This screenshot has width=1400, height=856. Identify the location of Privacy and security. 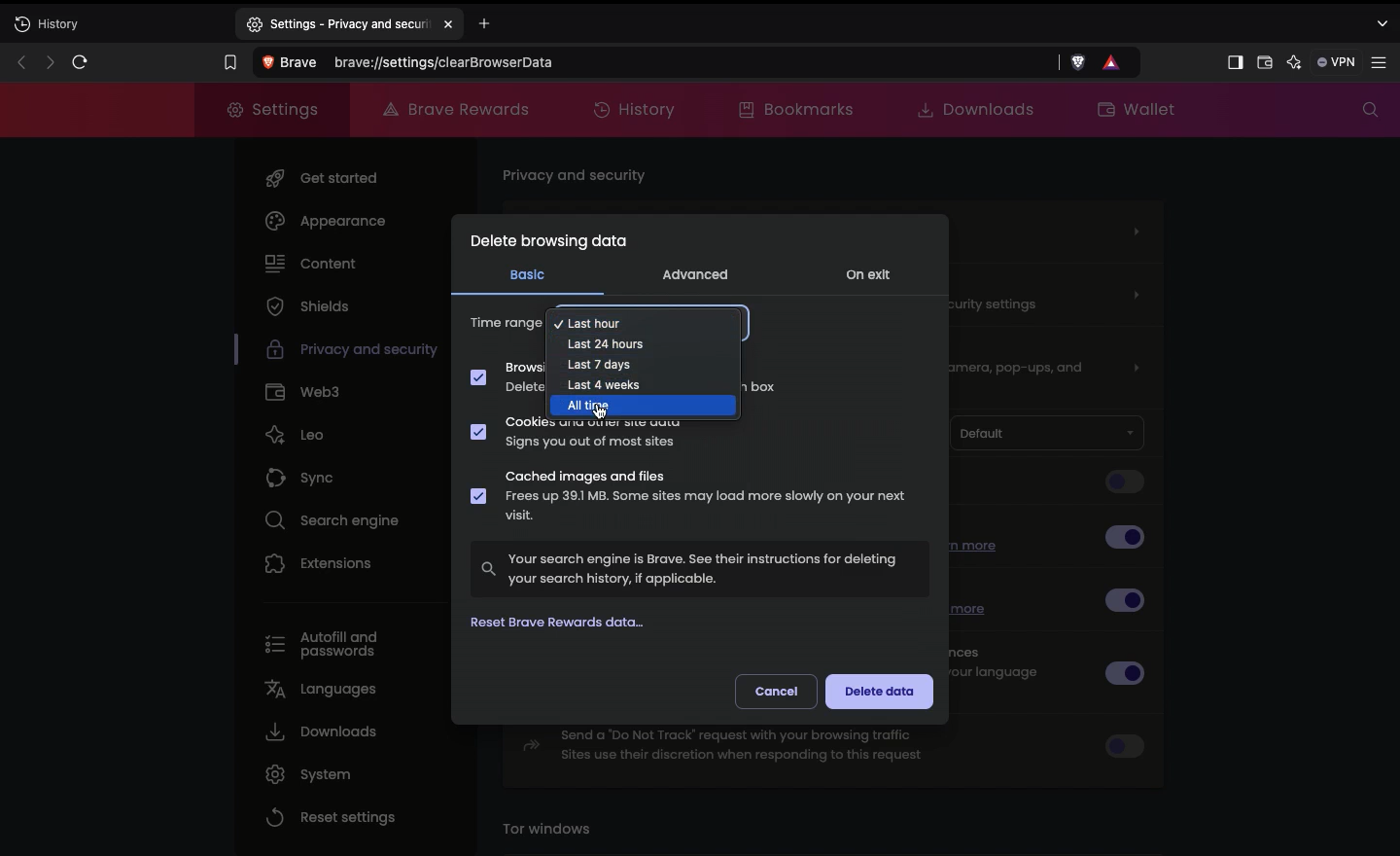
(335, 352).